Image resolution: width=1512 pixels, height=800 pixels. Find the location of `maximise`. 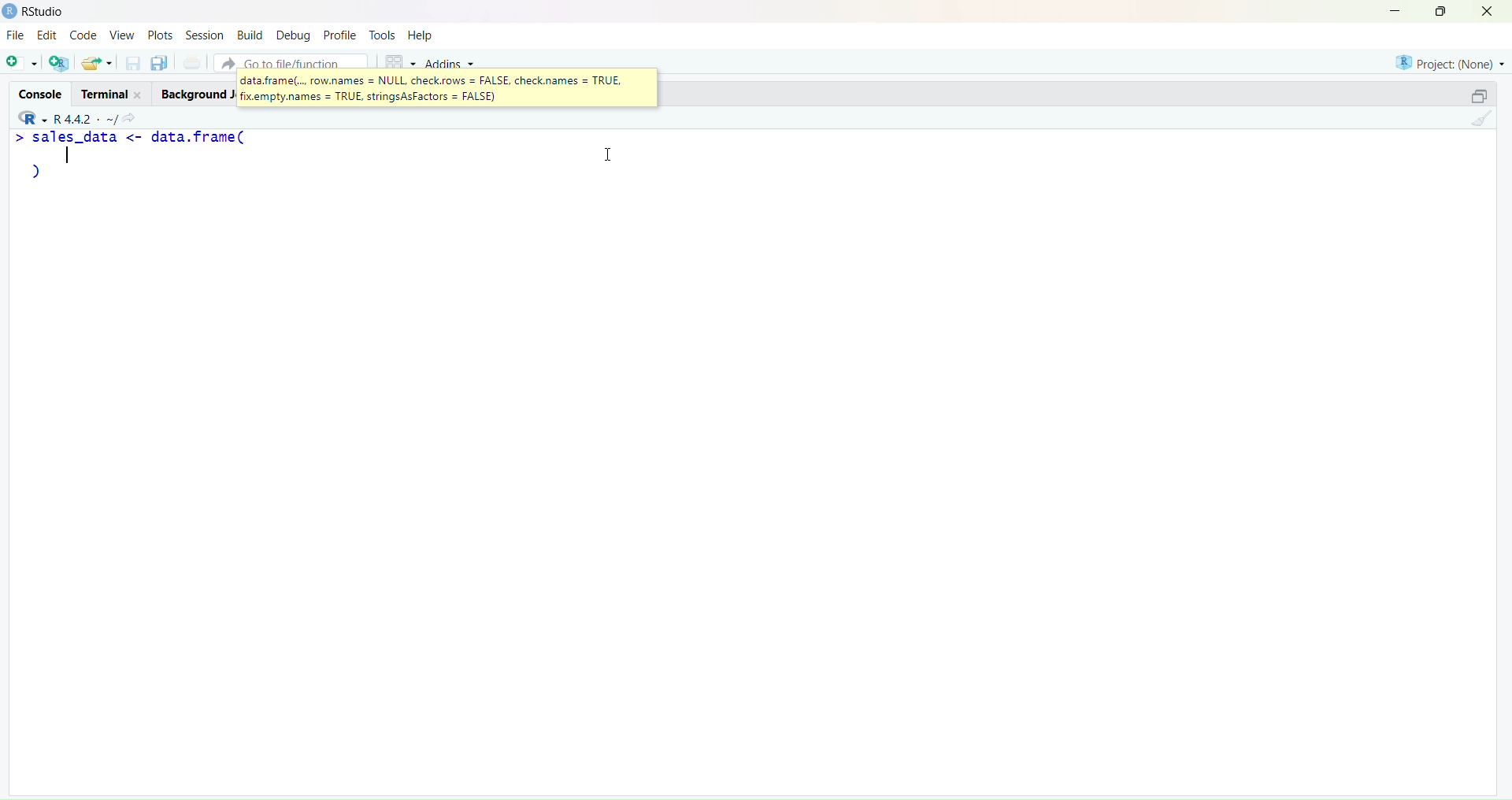

maximise is located at coordinates (1471, 94).